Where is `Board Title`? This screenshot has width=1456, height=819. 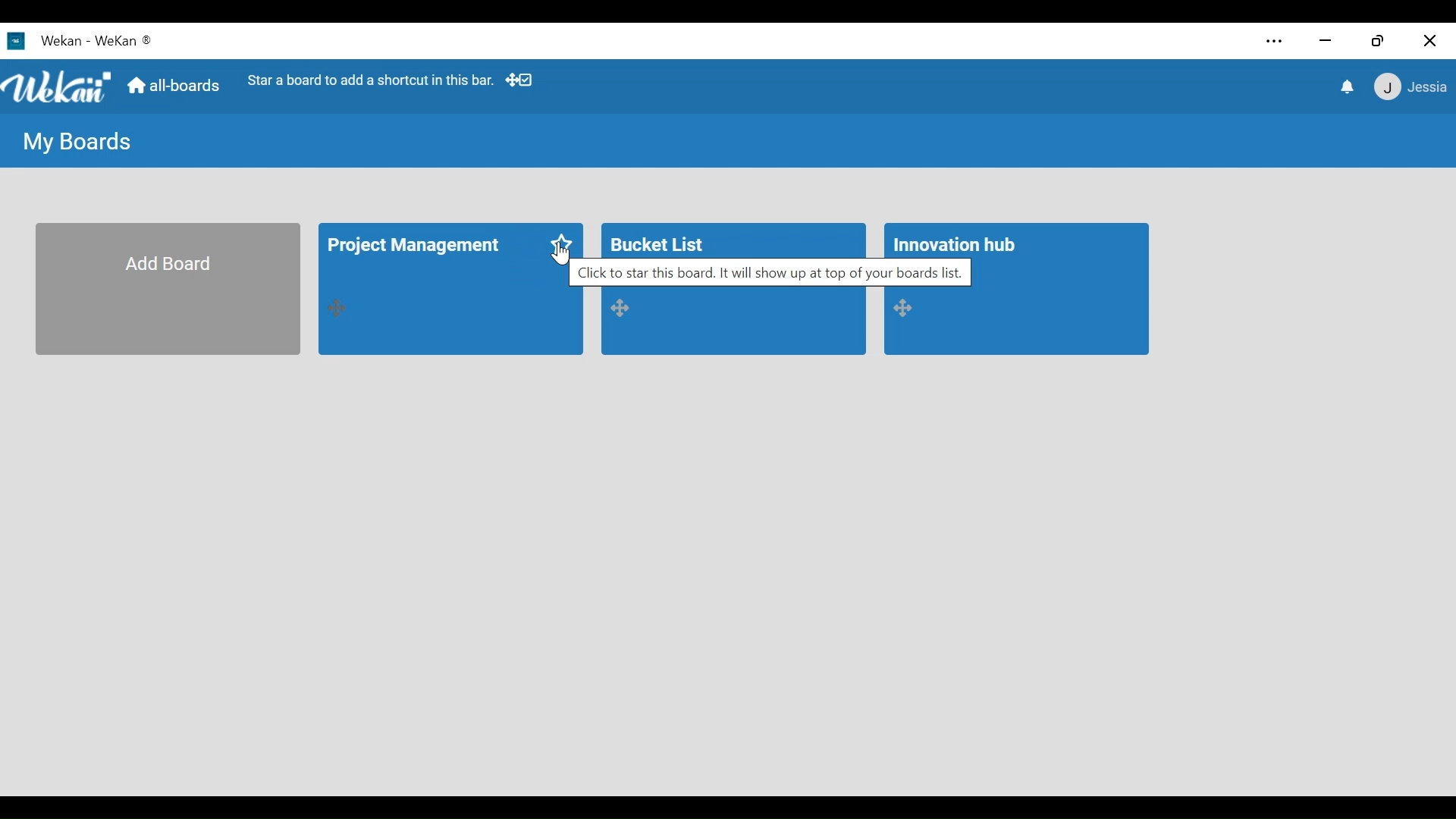
Board Title is located at coordinates (957, 245).